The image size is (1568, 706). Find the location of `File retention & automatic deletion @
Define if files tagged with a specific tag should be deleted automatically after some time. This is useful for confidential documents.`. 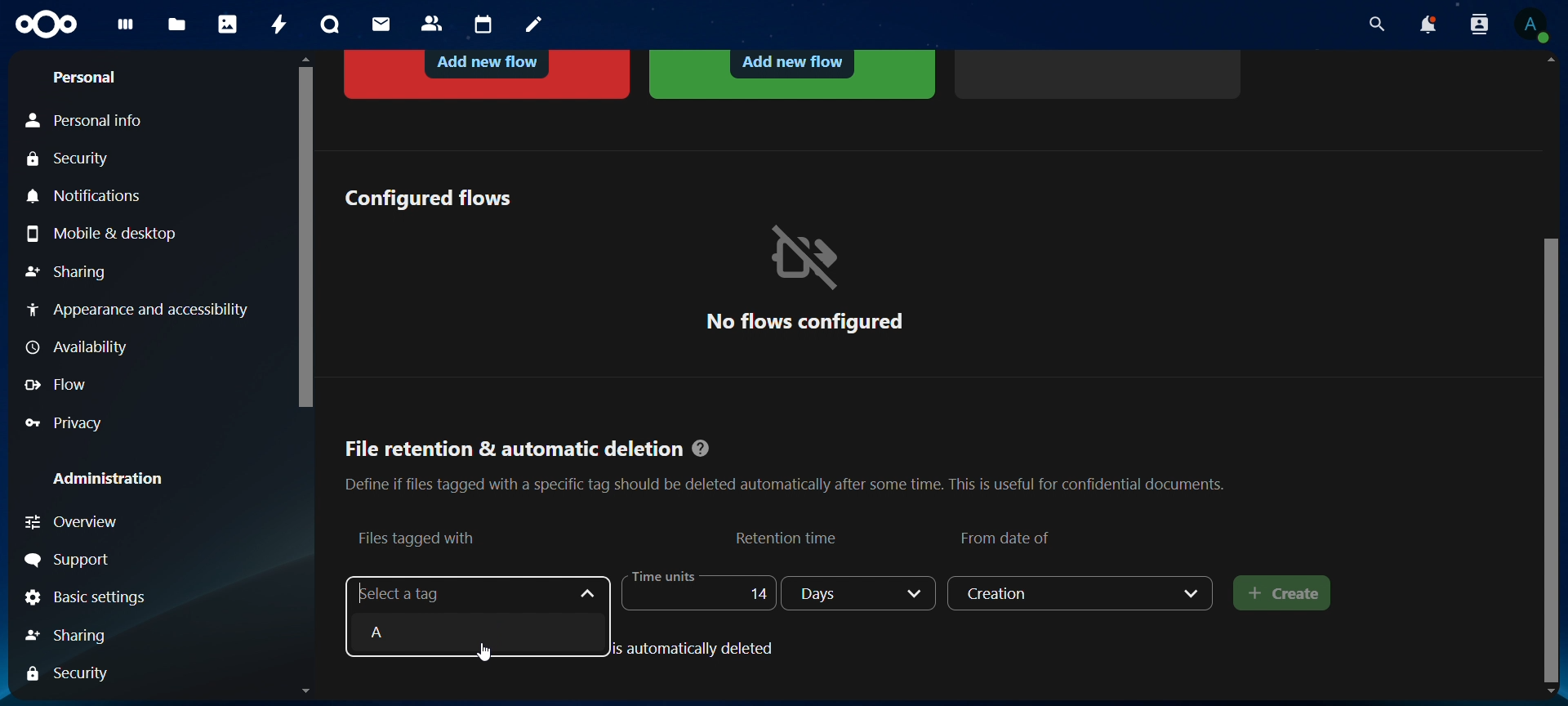

File retention & automatic deletion @
Define if files tagged with a specific tag should be deleted automatically after some time. This is useful for confidential documents. is located at coordinates (784, 460).